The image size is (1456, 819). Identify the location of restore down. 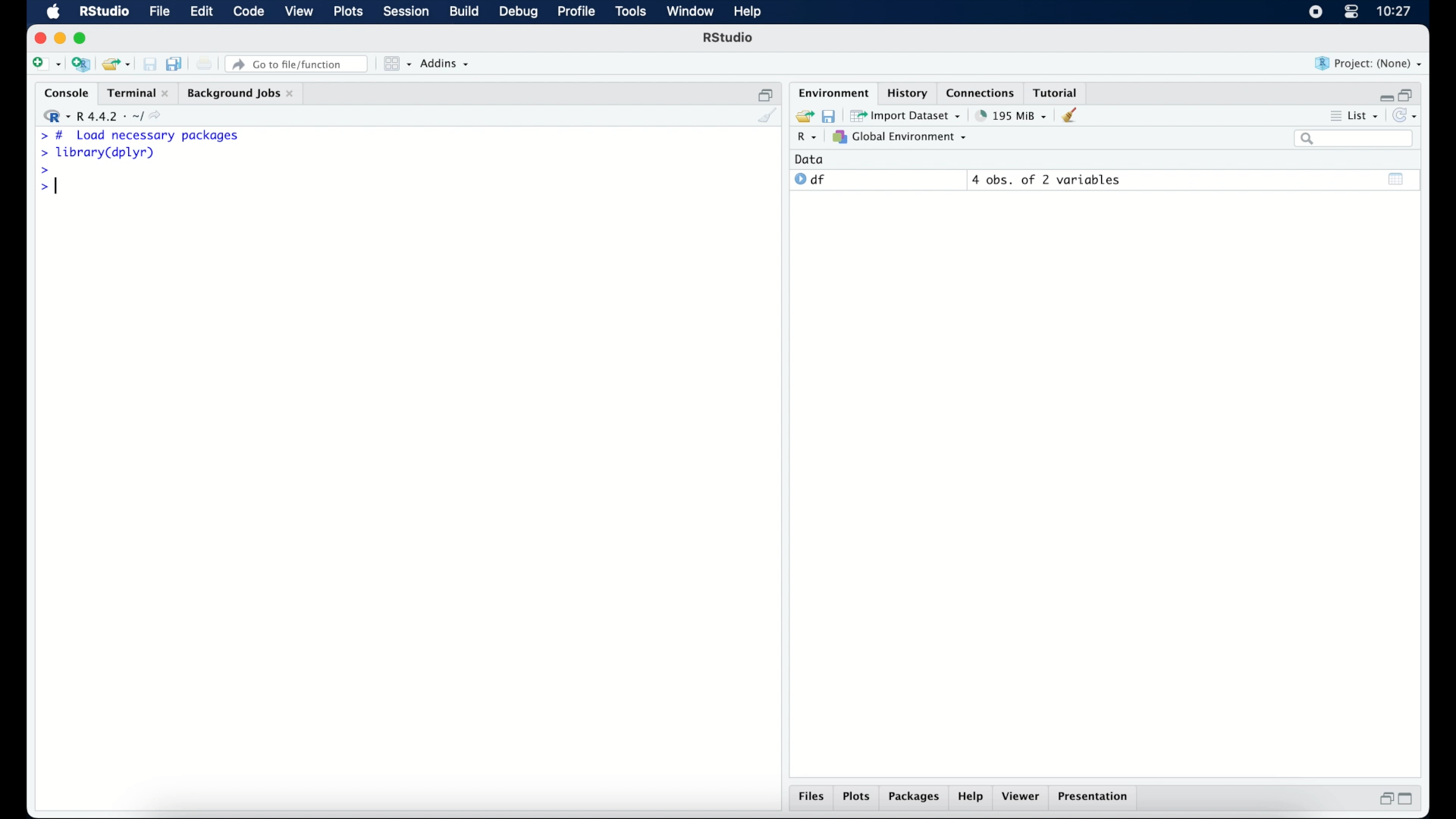
(766, 93).